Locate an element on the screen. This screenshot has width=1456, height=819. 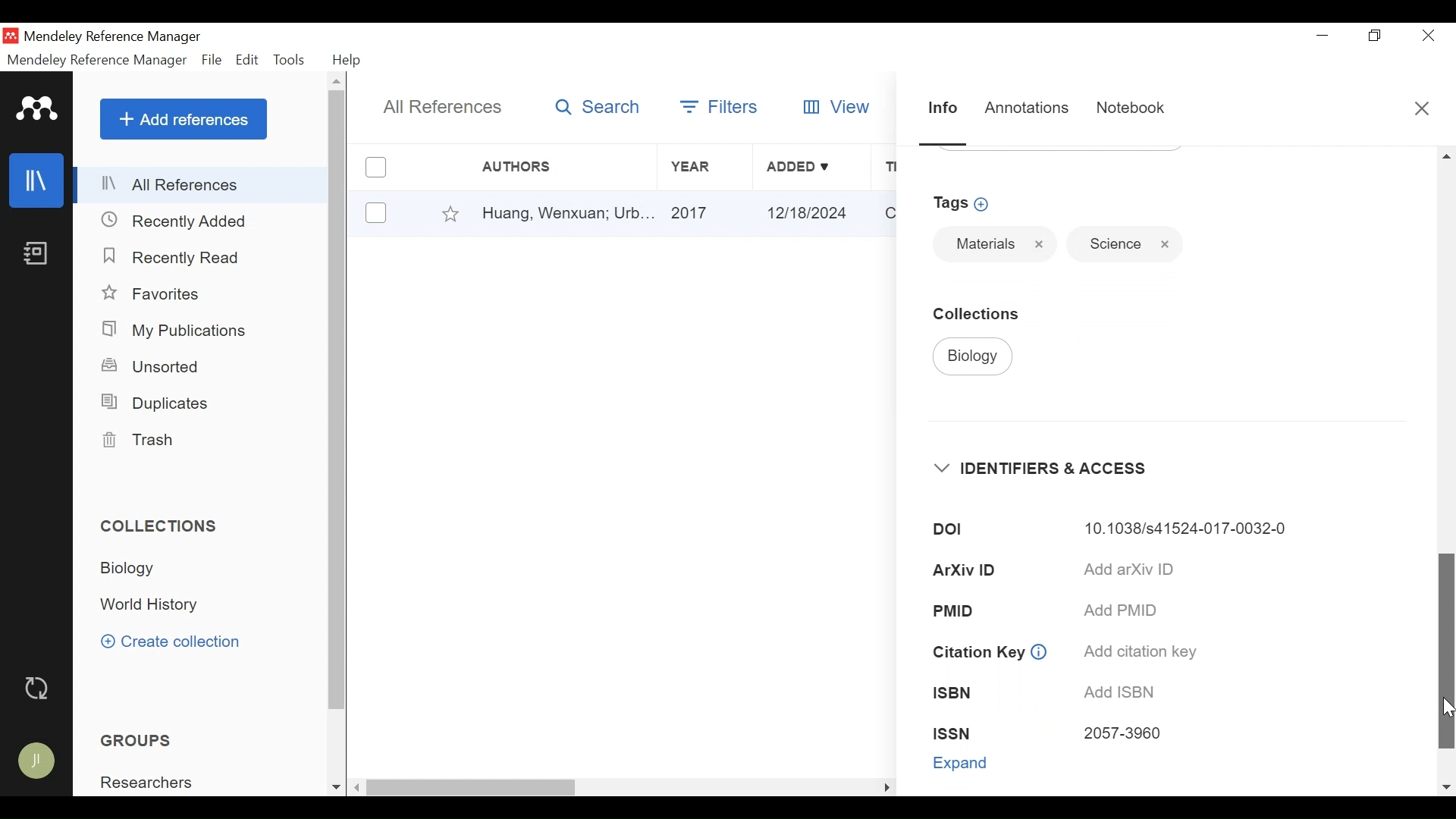
Add ISBN is located at coordinates (1123, 693).